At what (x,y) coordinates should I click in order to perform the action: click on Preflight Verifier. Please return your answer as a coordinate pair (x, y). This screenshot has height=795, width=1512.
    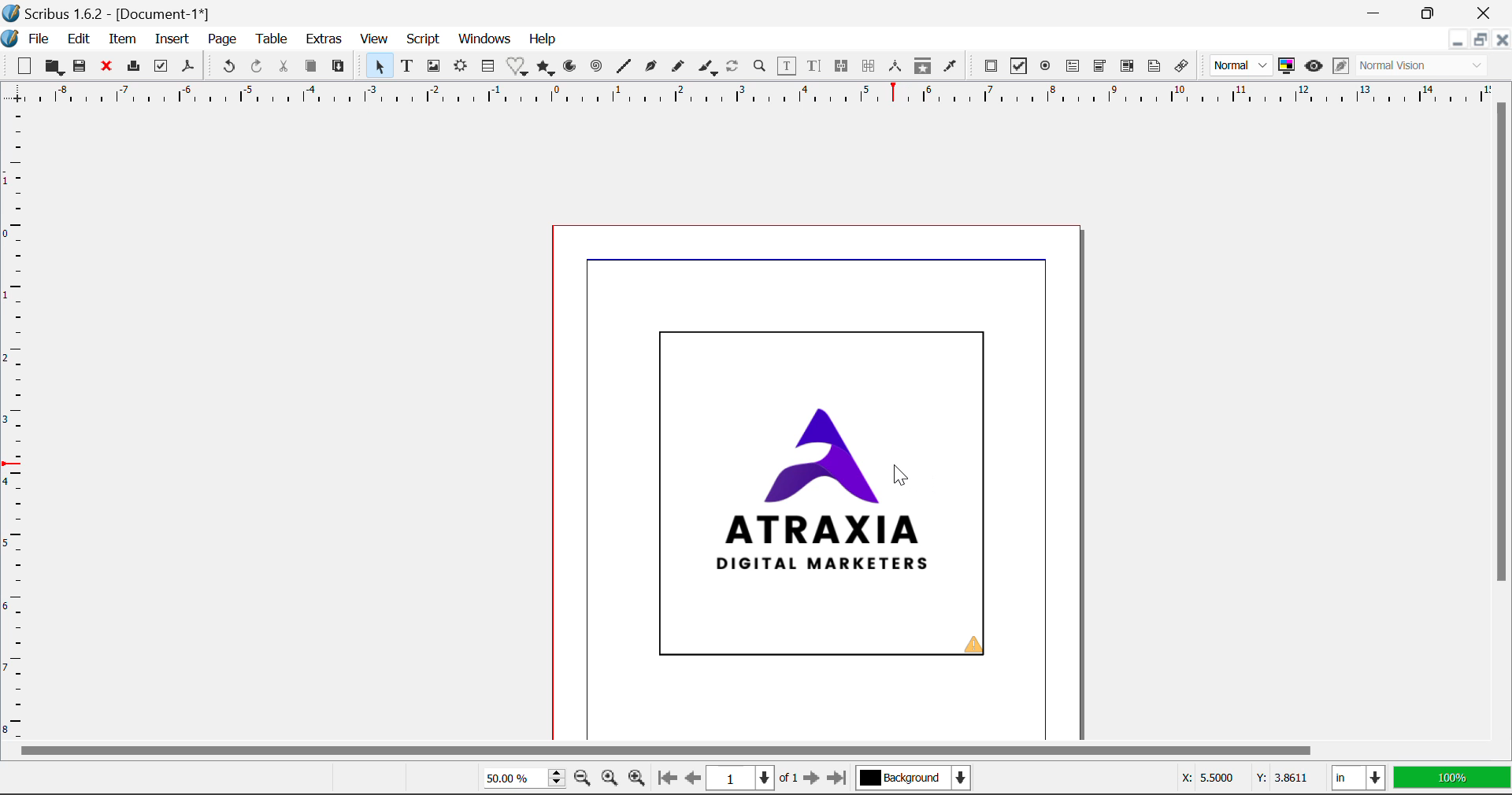
    Looking at the image, I should click on (161, 68).